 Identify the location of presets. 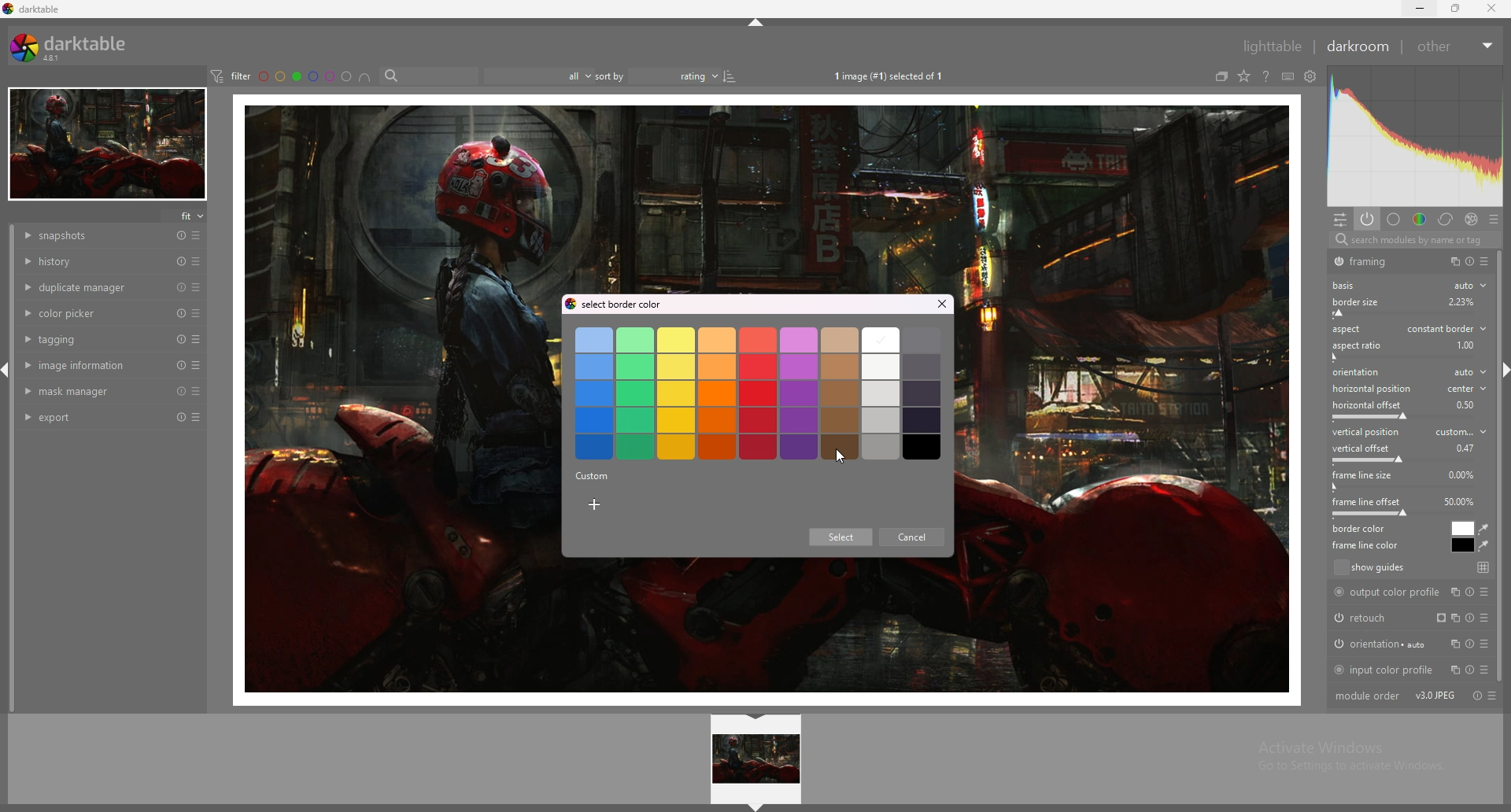
(197, 390).